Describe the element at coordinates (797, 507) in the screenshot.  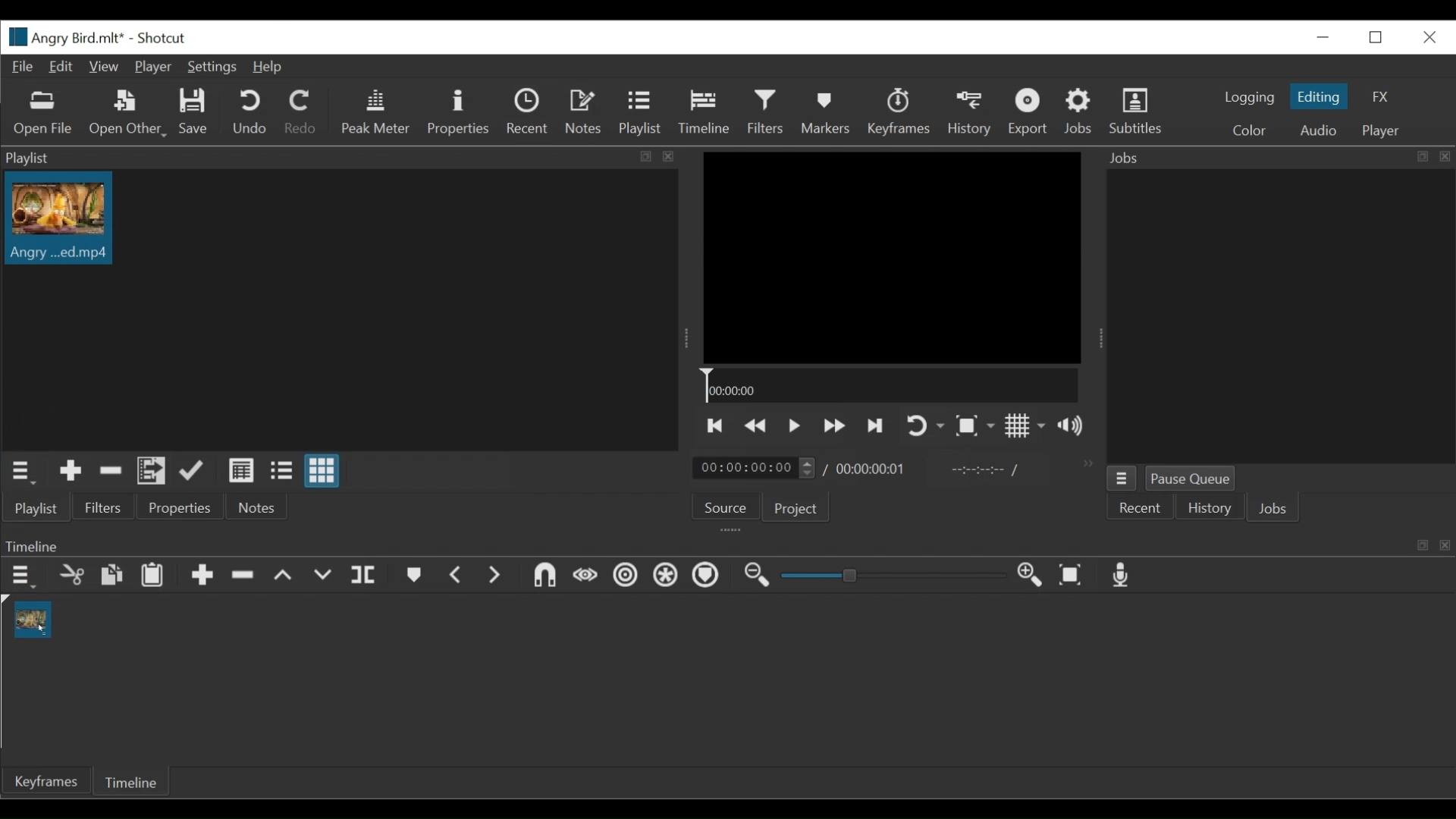
I see `Projects` at that location.